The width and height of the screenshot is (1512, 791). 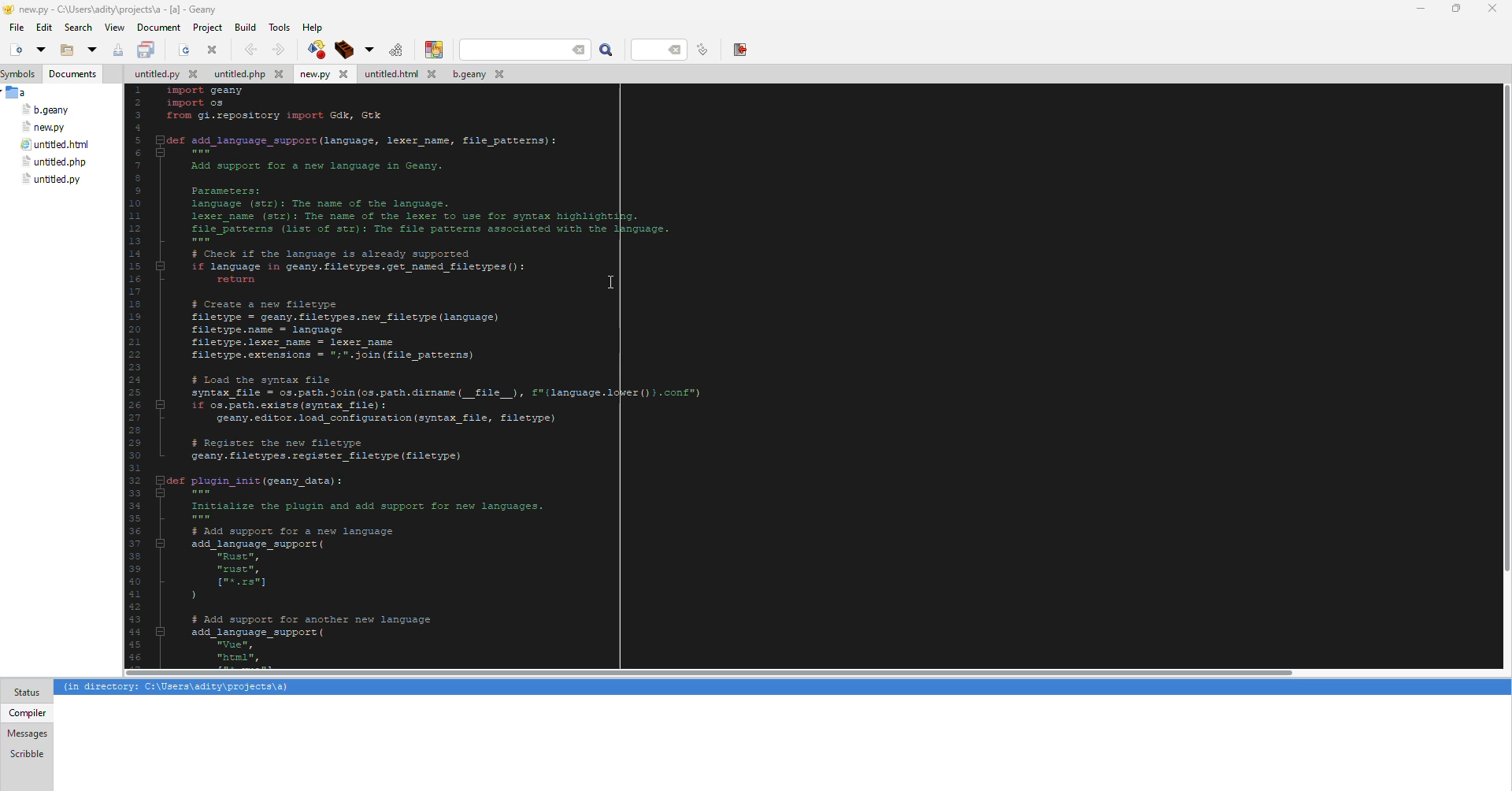 What do you see at coordinates (39, 50) in the screenshot?
I see `open` at bounding box center [39, 50].